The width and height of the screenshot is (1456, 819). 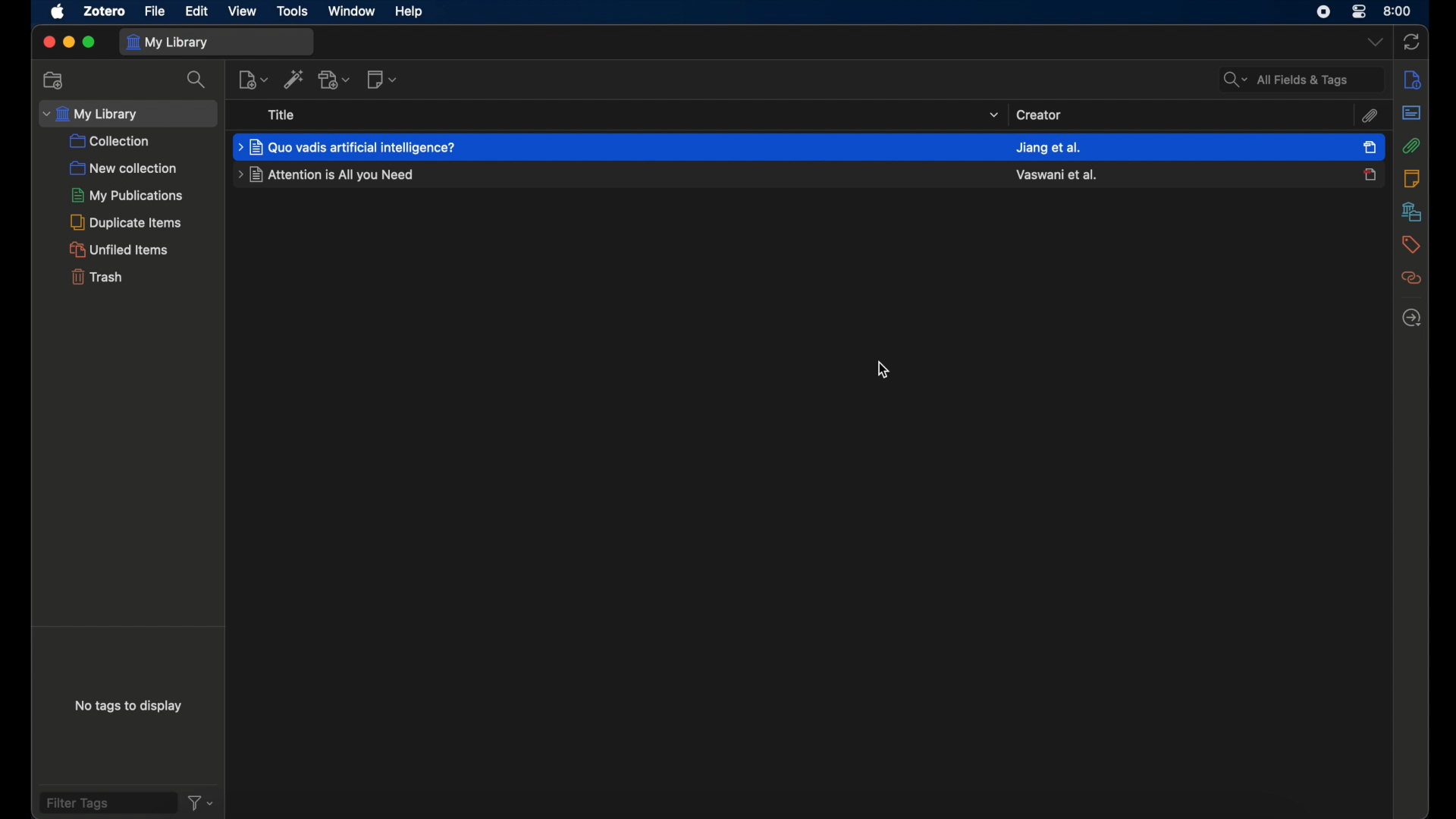 I want to click on add item by identifier, so click(x=293, y=80).